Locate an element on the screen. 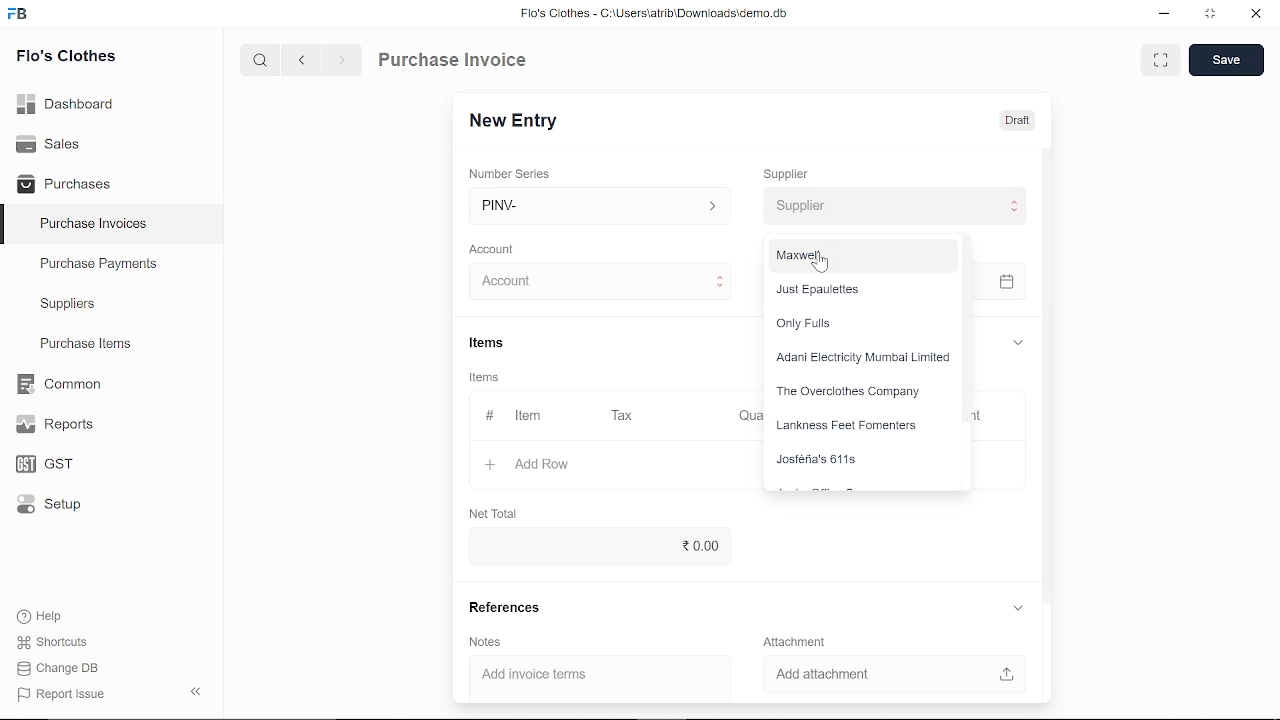  save is located at coordinates (1226, 61).